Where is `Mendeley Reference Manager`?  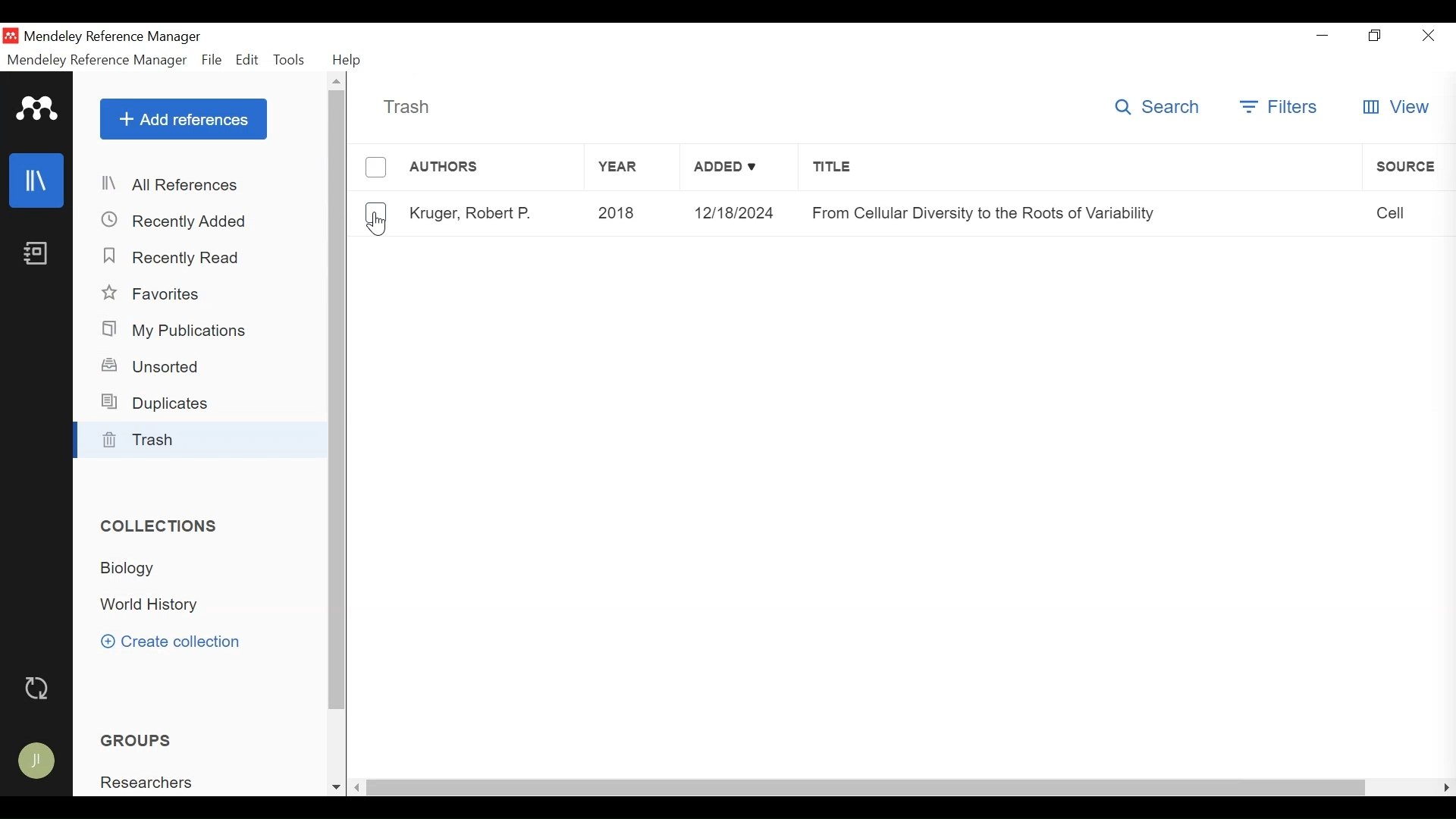
Mendeley Reference Manager is located at coordinates (113, 37).